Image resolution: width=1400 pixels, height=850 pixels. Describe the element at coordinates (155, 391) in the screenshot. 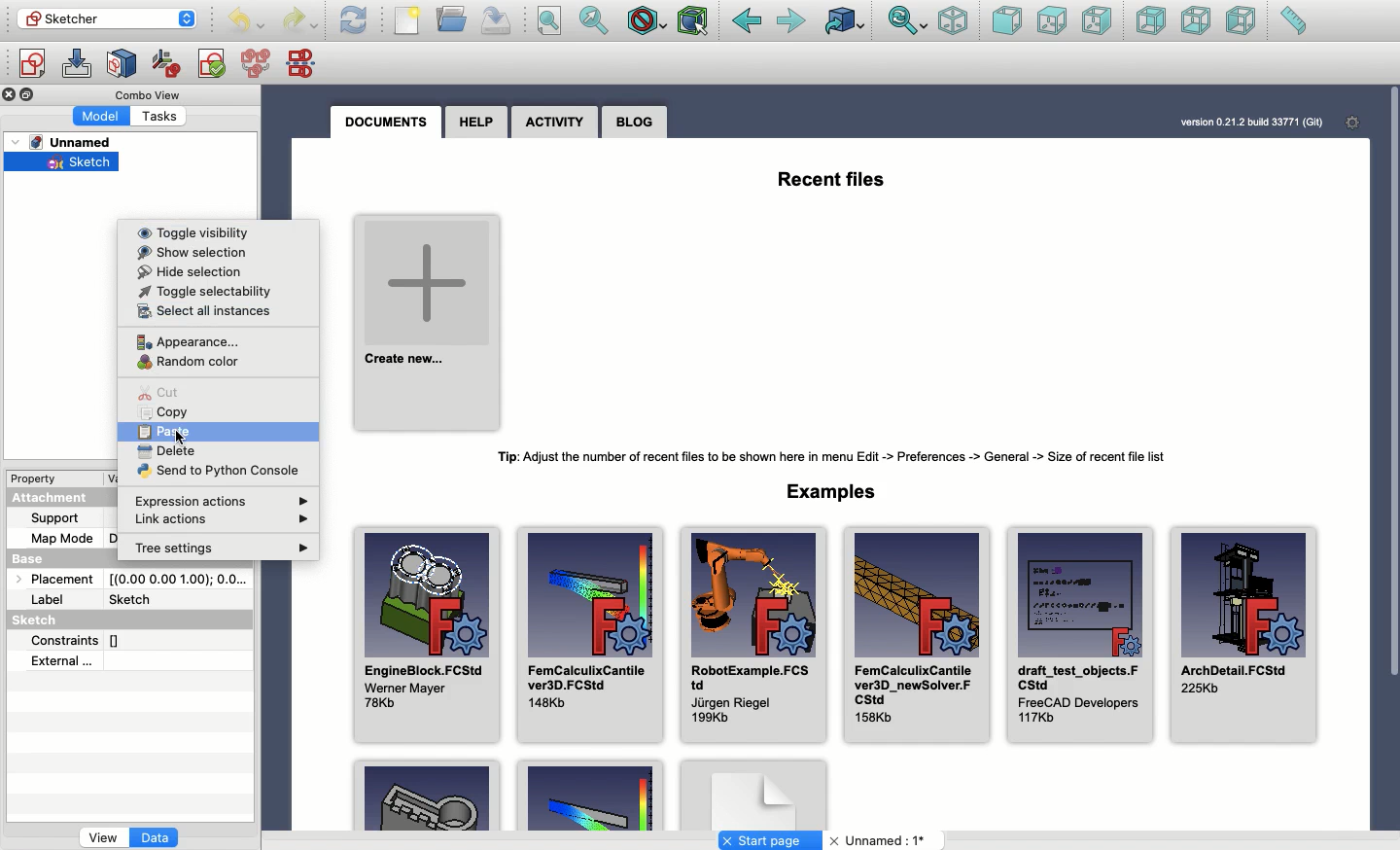

I see `Cut` at that location.